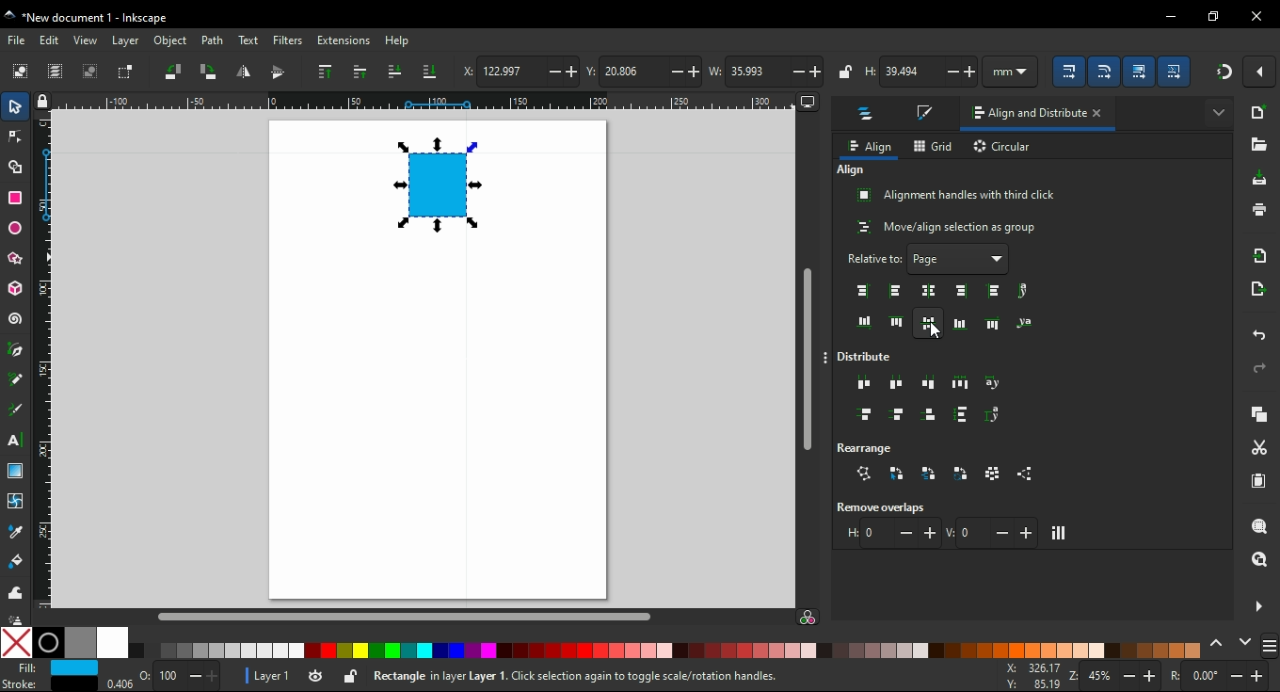 The width and height of the screenshot is (1280, 692). I want to click on align right edges, so click(963, 291).